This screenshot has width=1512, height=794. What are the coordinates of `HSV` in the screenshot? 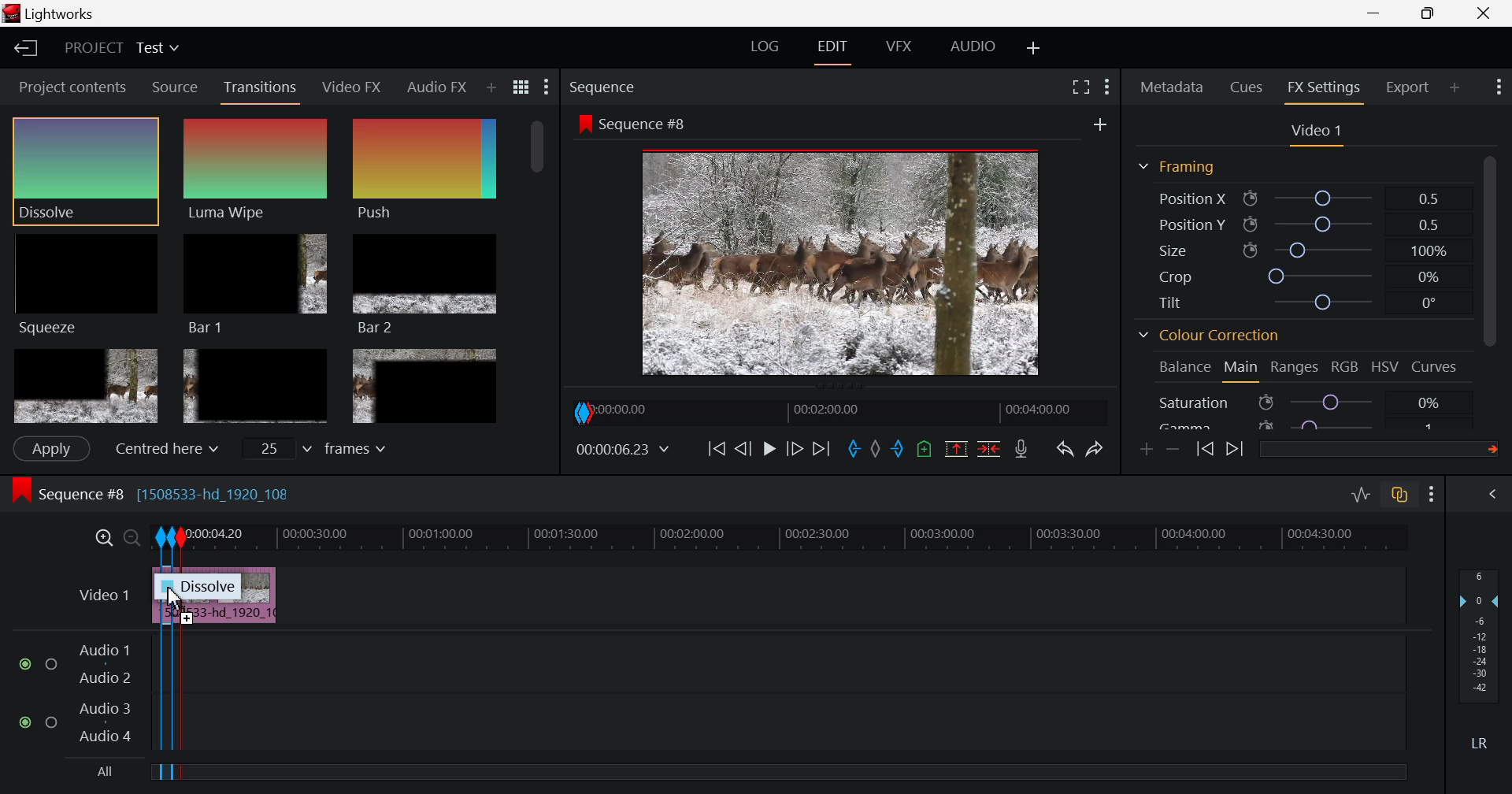 It's located at (1385, 368).